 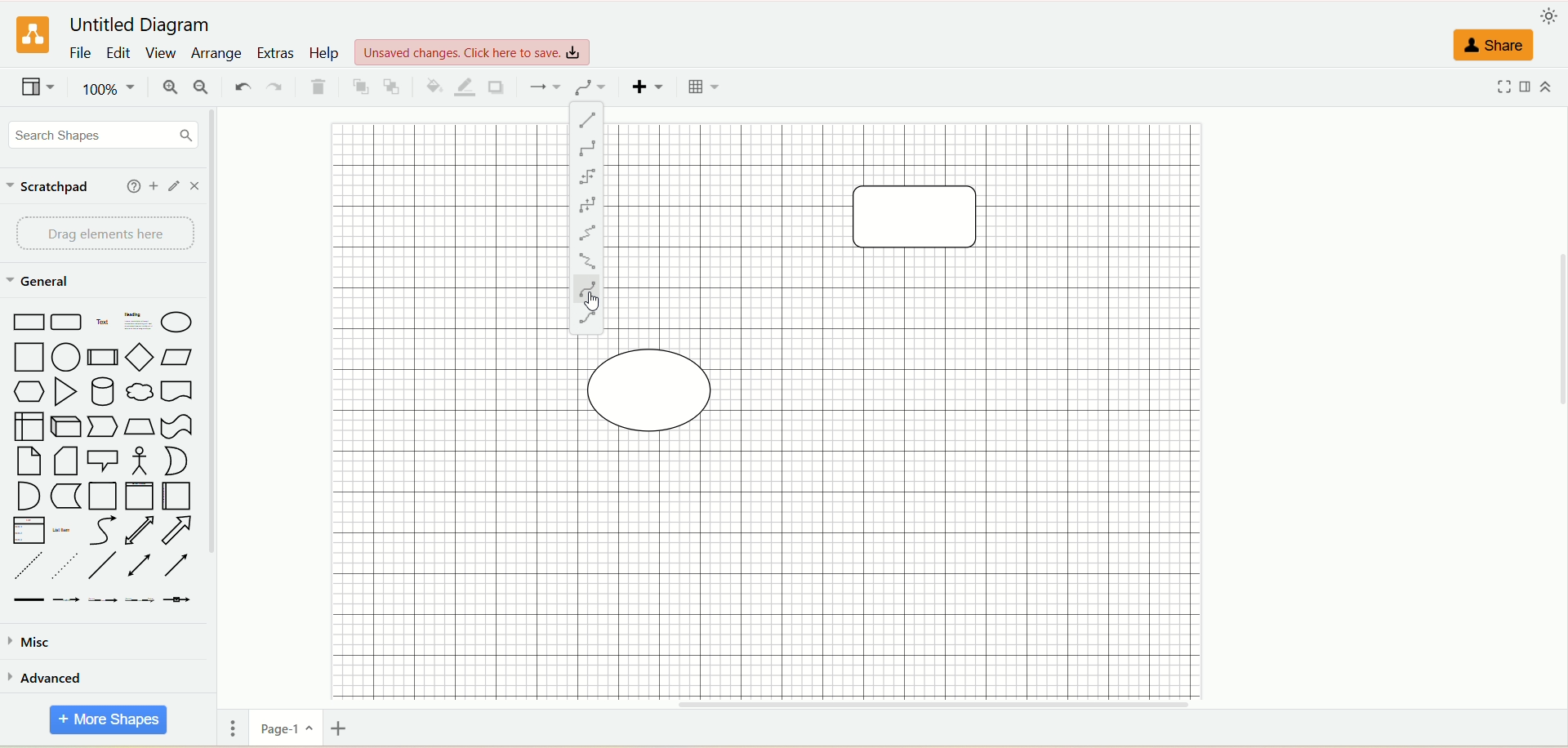 What do you see at coordinates (543, 86) in the screenshot?
I see `connection` at bounding box center [543, 86].